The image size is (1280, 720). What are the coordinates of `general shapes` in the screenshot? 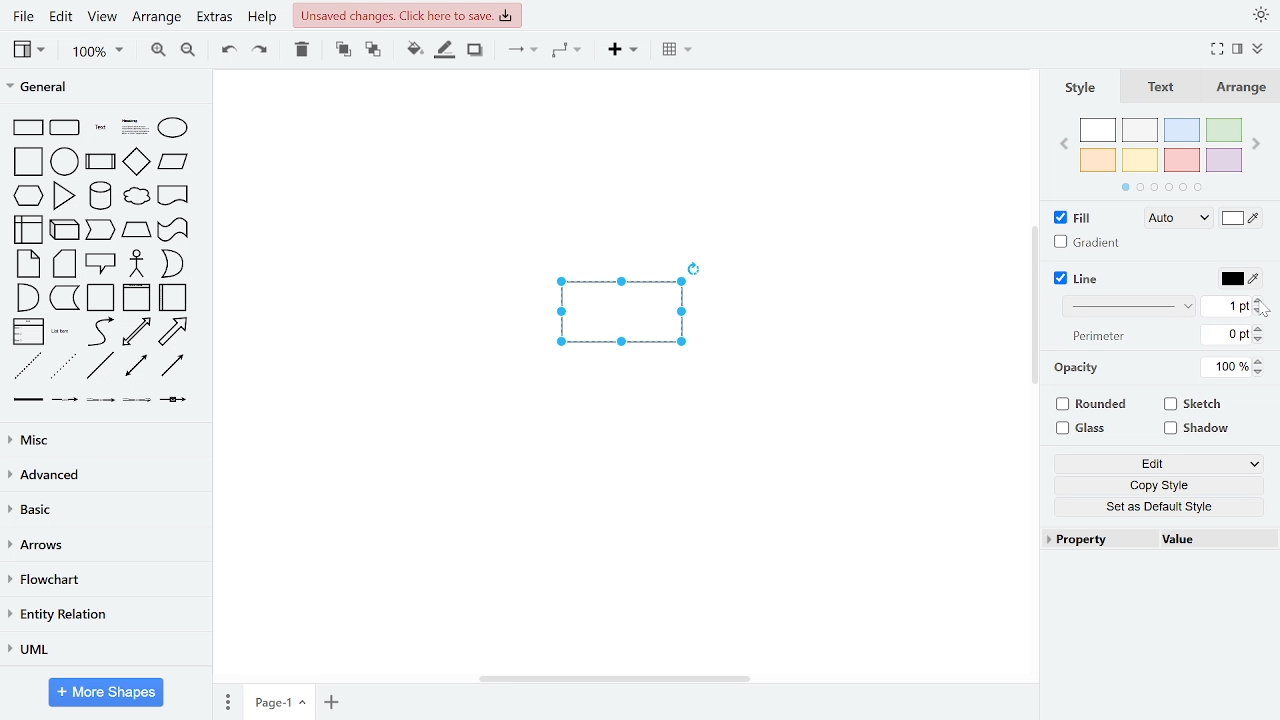 It's located at (136, 399).